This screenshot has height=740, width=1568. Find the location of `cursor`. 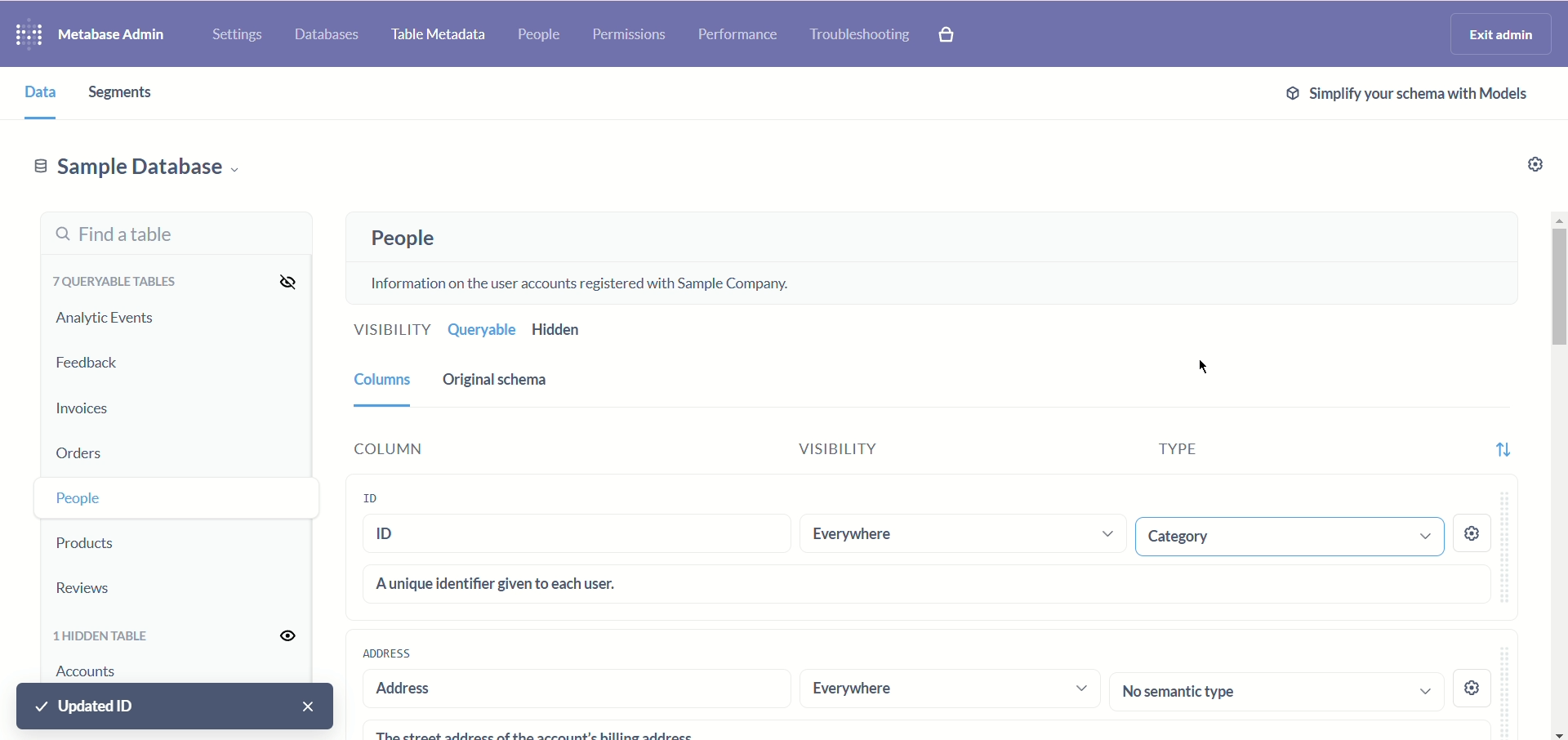

cursor is located at coordinates (1199, 369).